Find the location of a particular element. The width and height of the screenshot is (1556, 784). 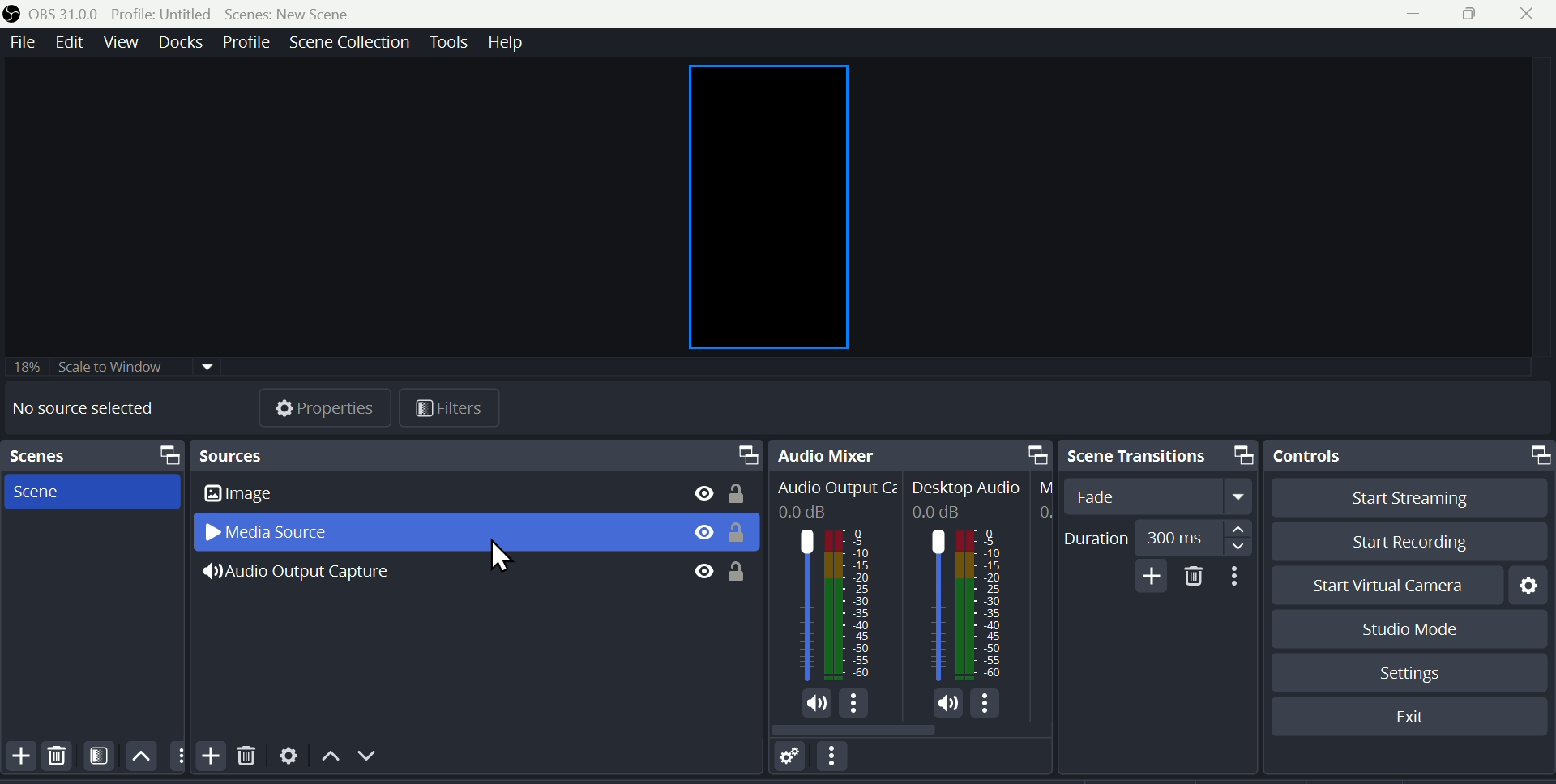

Settings is located at coordinates (1528, 583).